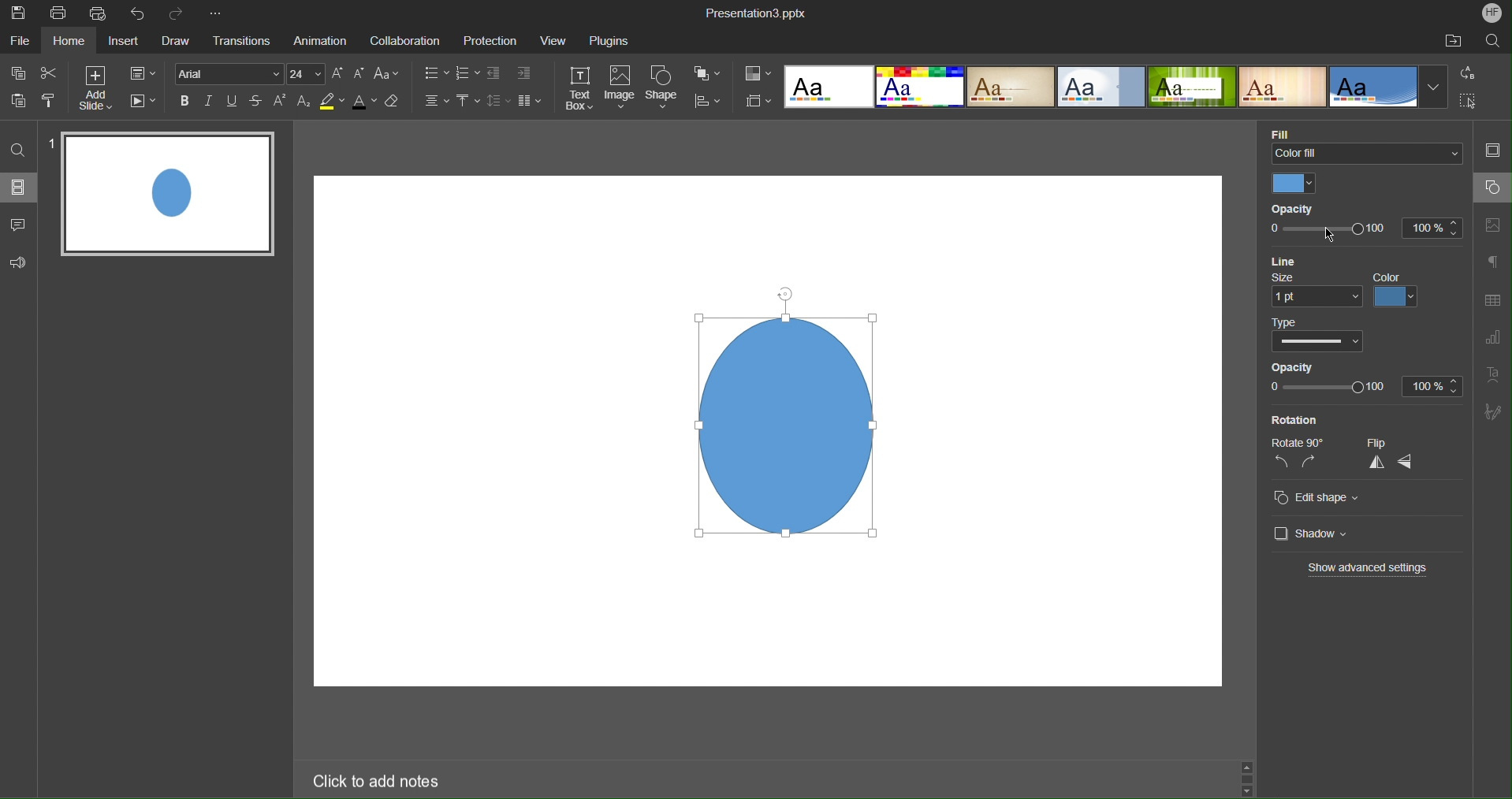 The height and width of the screenshot is (799, 1512). Describe the element at coordinates (20, 15) in the screenshot. I see `Save` at that location.